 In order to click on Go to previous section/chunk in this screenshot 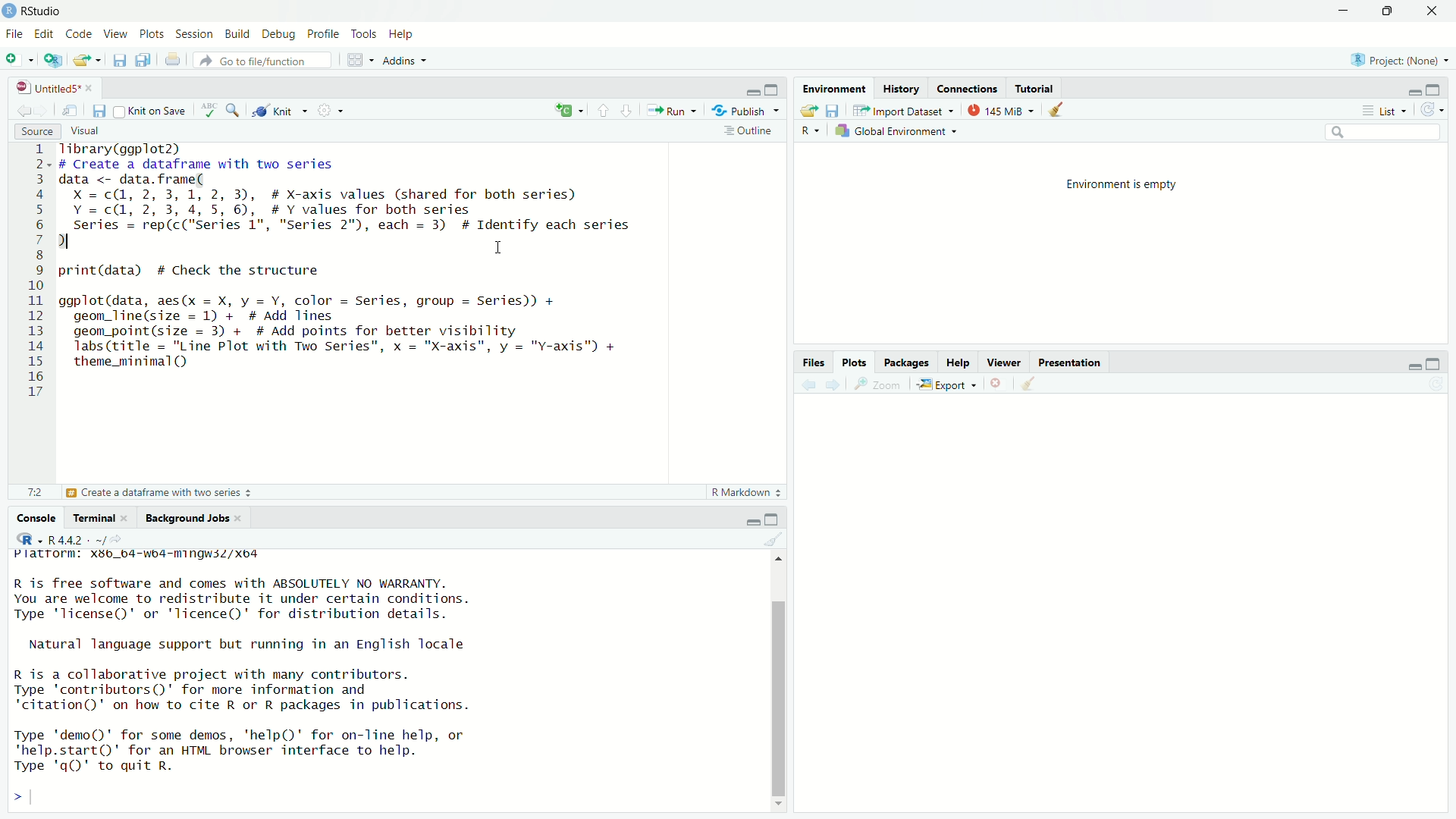, I will do `click(604, 111)`.